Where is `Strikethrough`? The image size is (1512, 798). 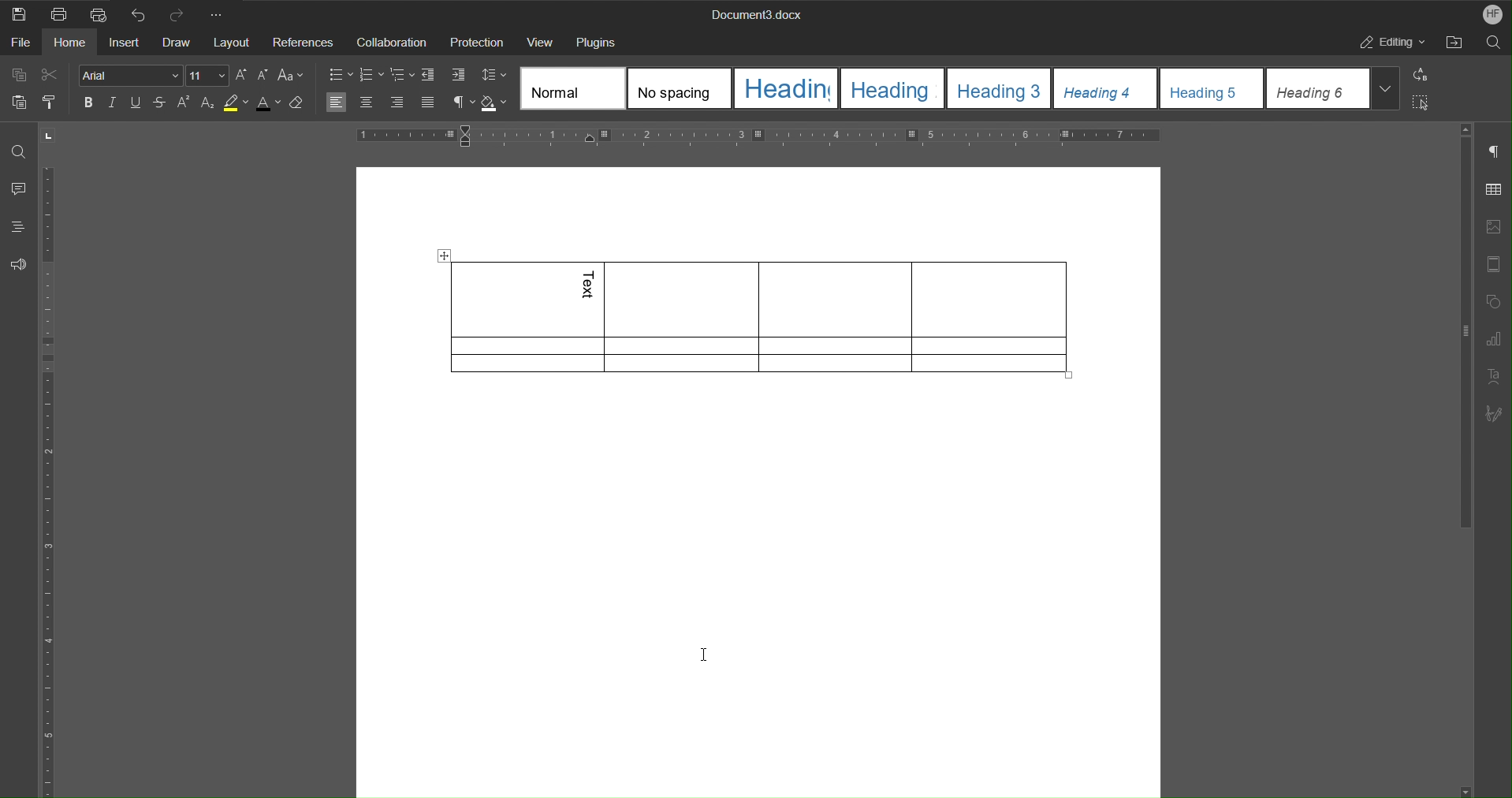 Strikethrough is located at coordinates (158, 103).